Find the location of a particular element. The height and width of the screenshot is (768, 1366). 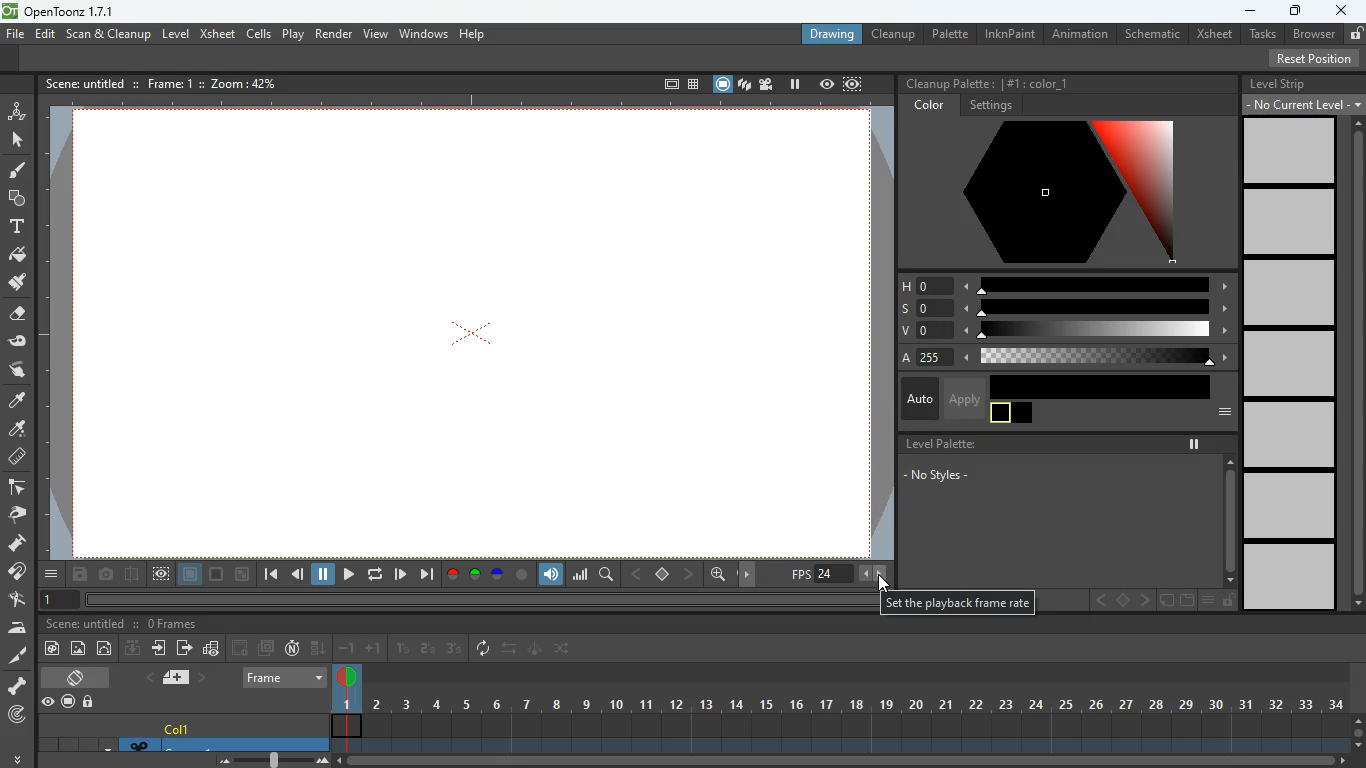

view is located at coordinates (161, 574).